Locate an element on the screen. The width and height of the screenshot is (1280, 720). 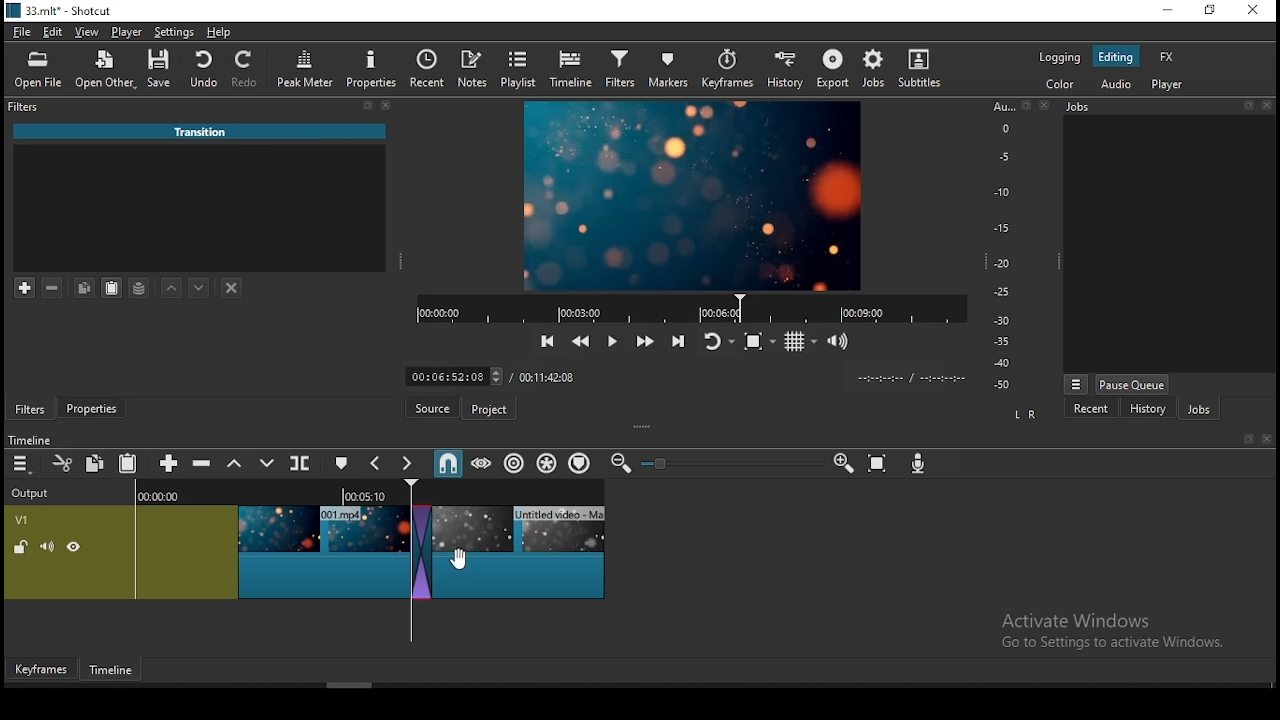
video preview is located at coordinates (695, 197).